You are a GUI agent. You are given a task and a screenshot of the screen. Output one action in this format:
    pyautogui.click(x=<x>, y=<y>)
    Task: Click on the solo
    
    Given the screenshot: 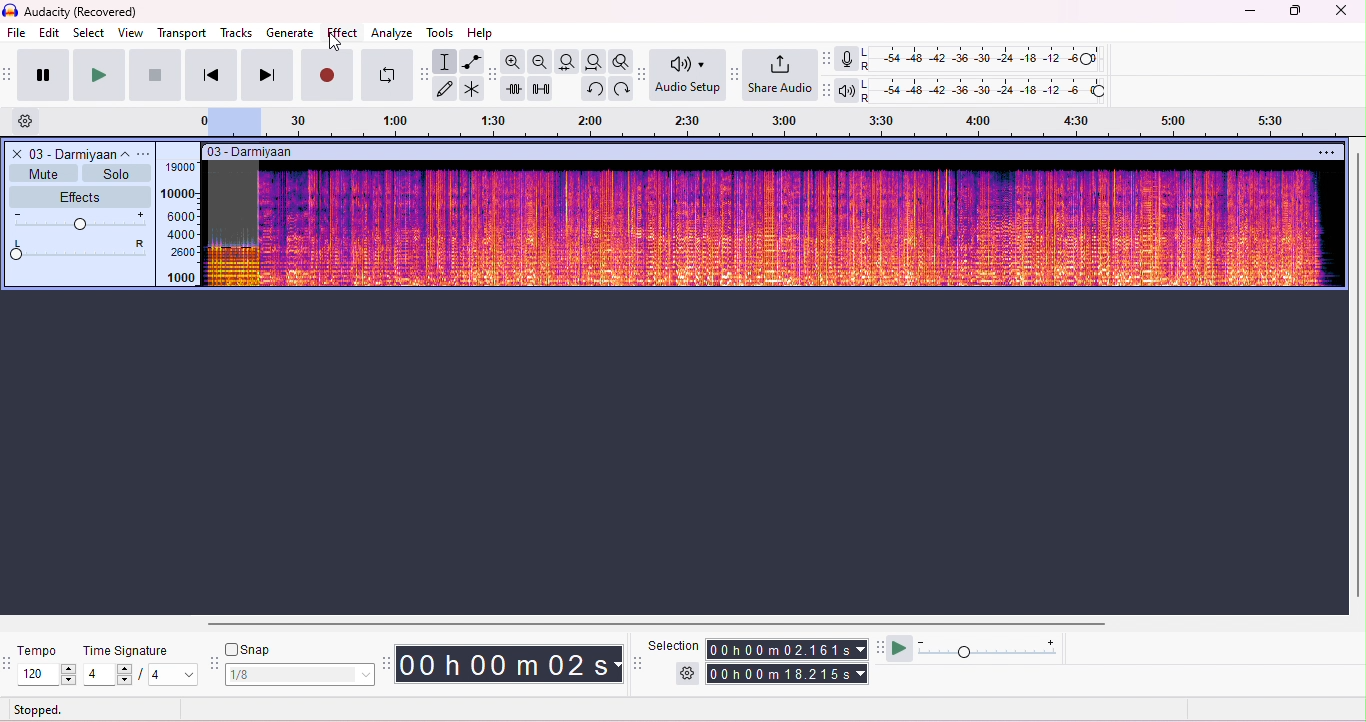 What is the action you would take?
    pyautogui.click(x=116, y=173)
    